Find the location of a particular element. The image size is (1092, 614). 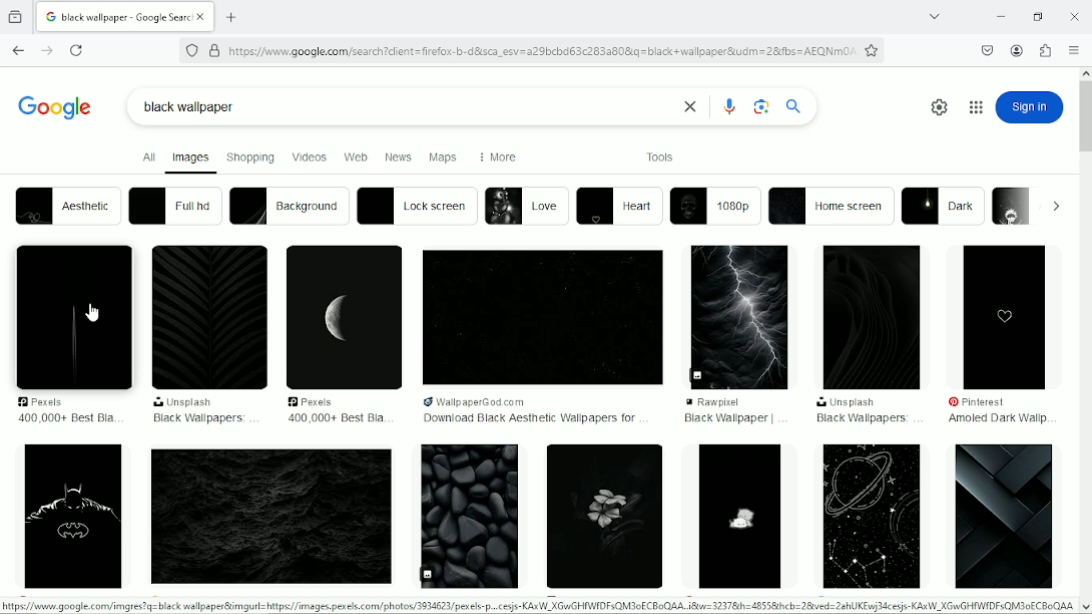

tools is located at coordinates (661, 156).